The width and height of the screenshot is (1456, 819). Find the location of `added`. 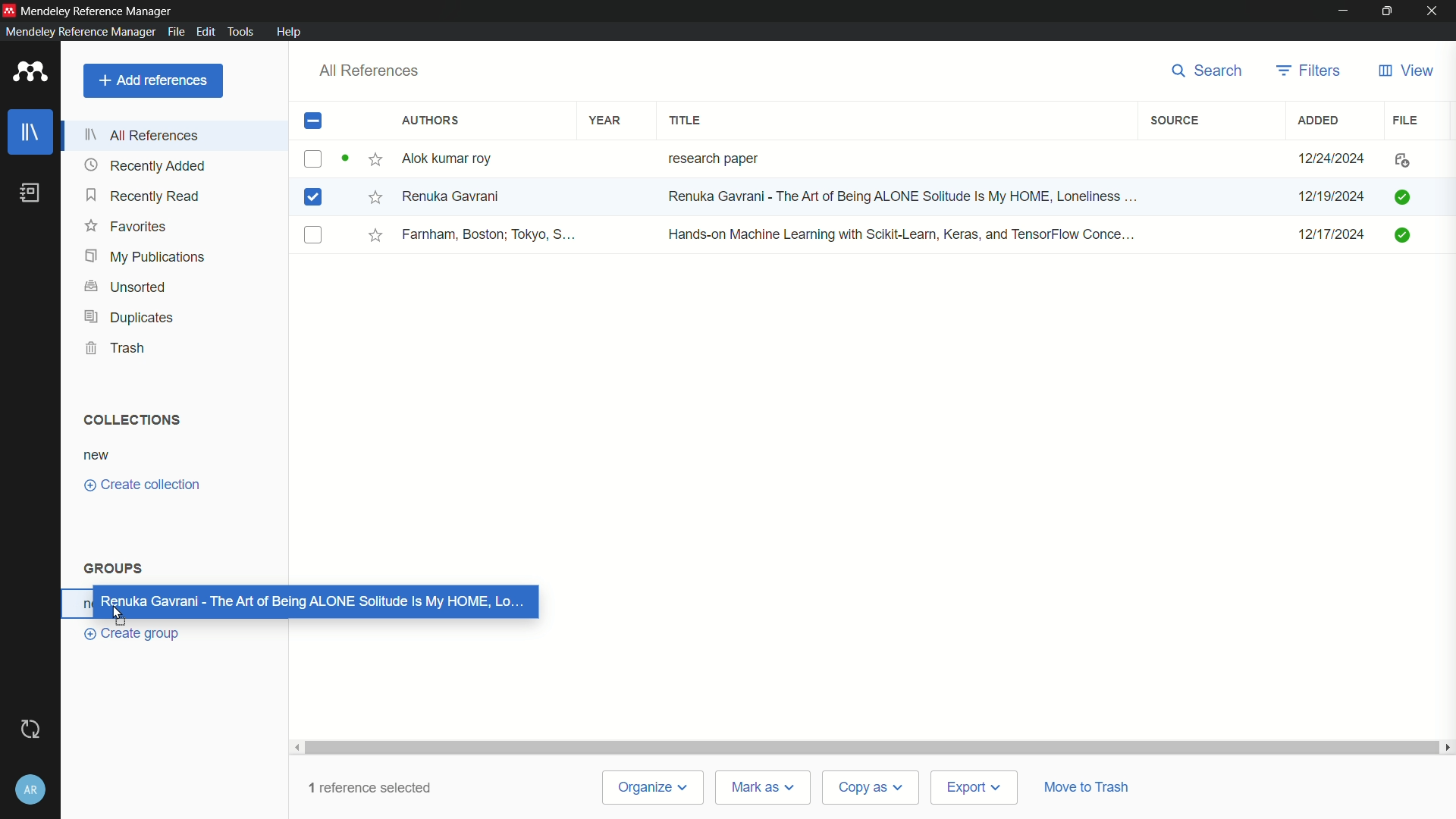

added is located at coordinates (1319, 120).